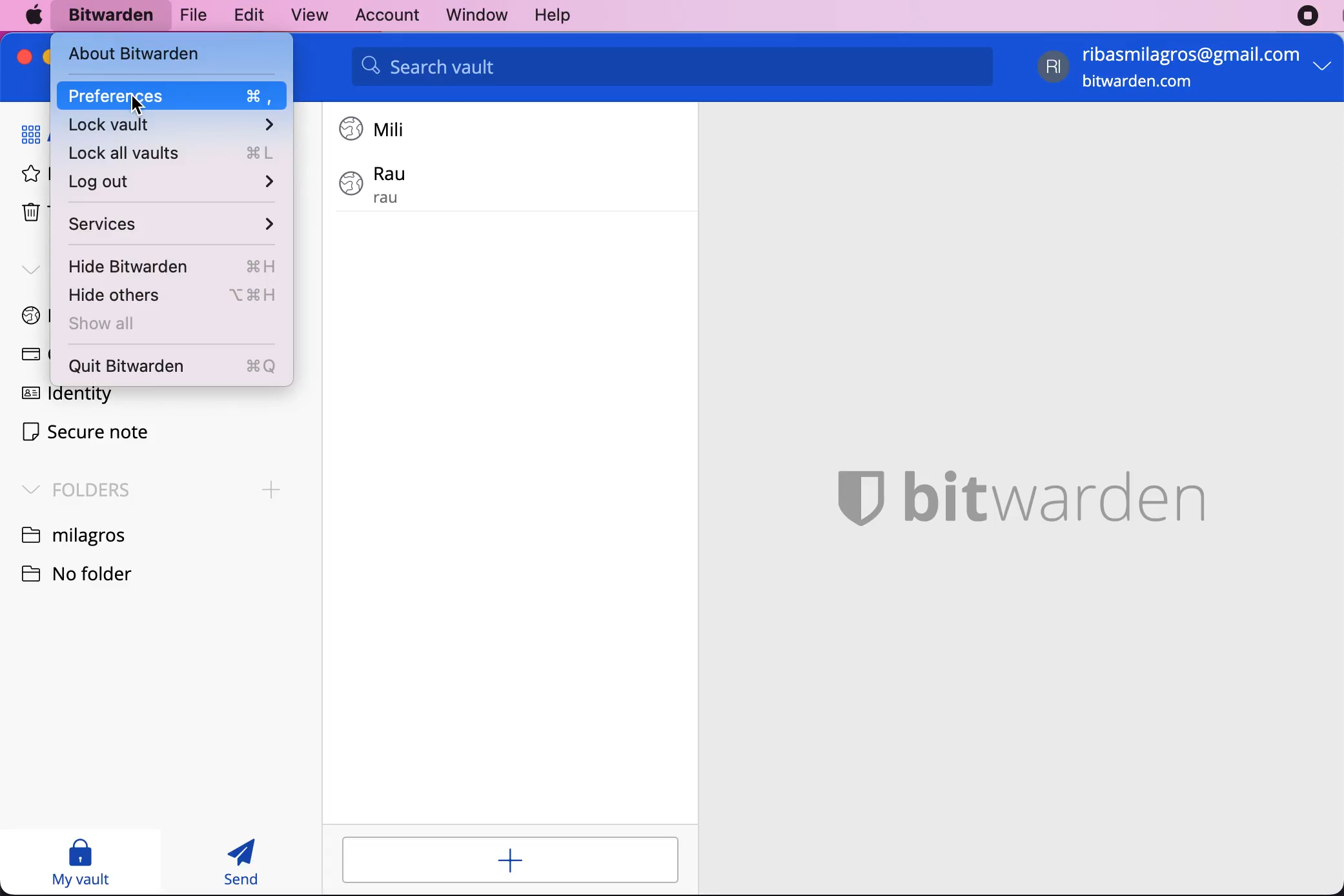 The height and width of the screenshot is (896, 1344). Describe the element at coordinates (76, 534) in the screenshot. I see `folder name` at that location.